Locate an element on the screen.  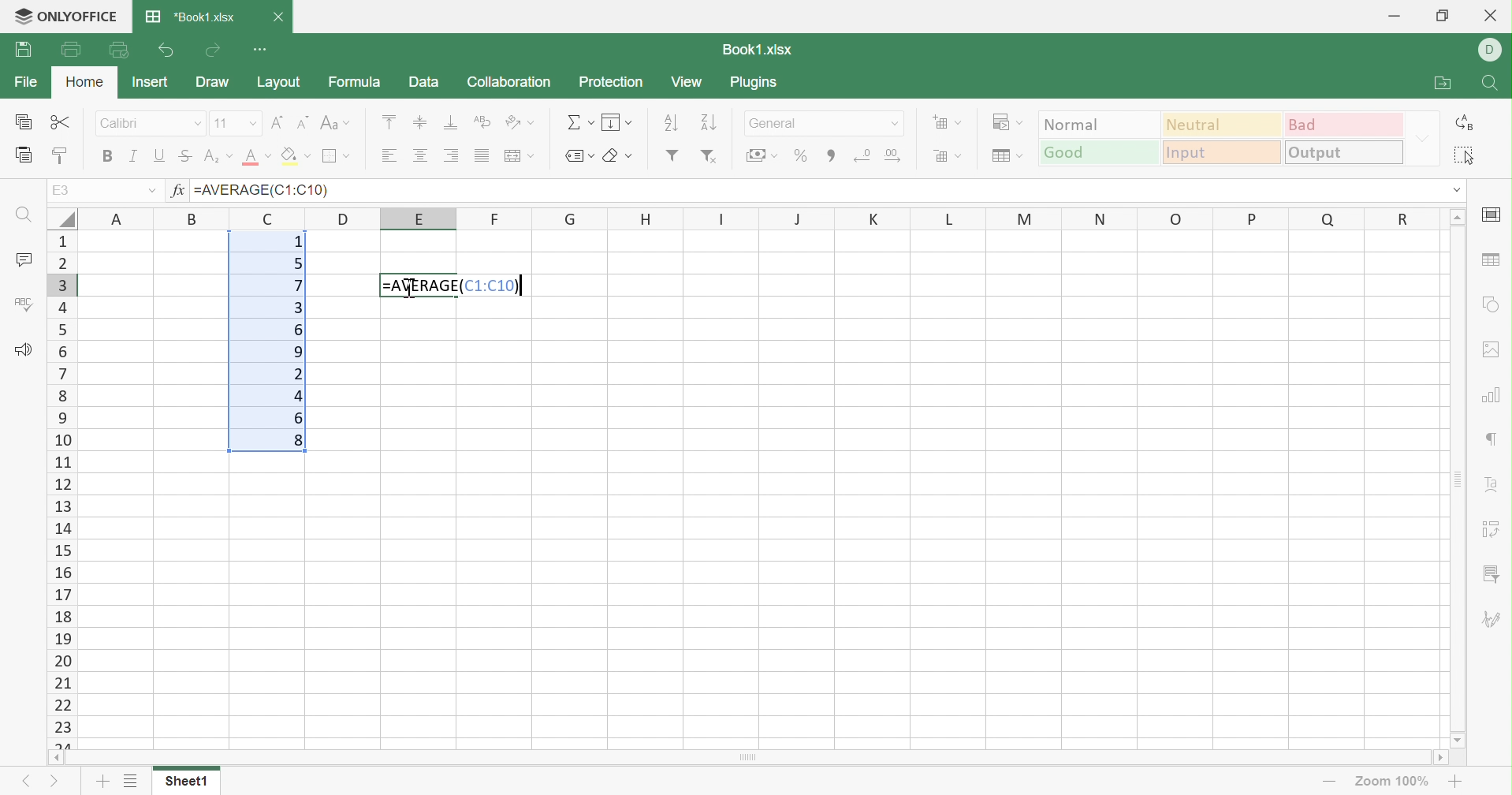
E3 is located at coordinates (60, 191).